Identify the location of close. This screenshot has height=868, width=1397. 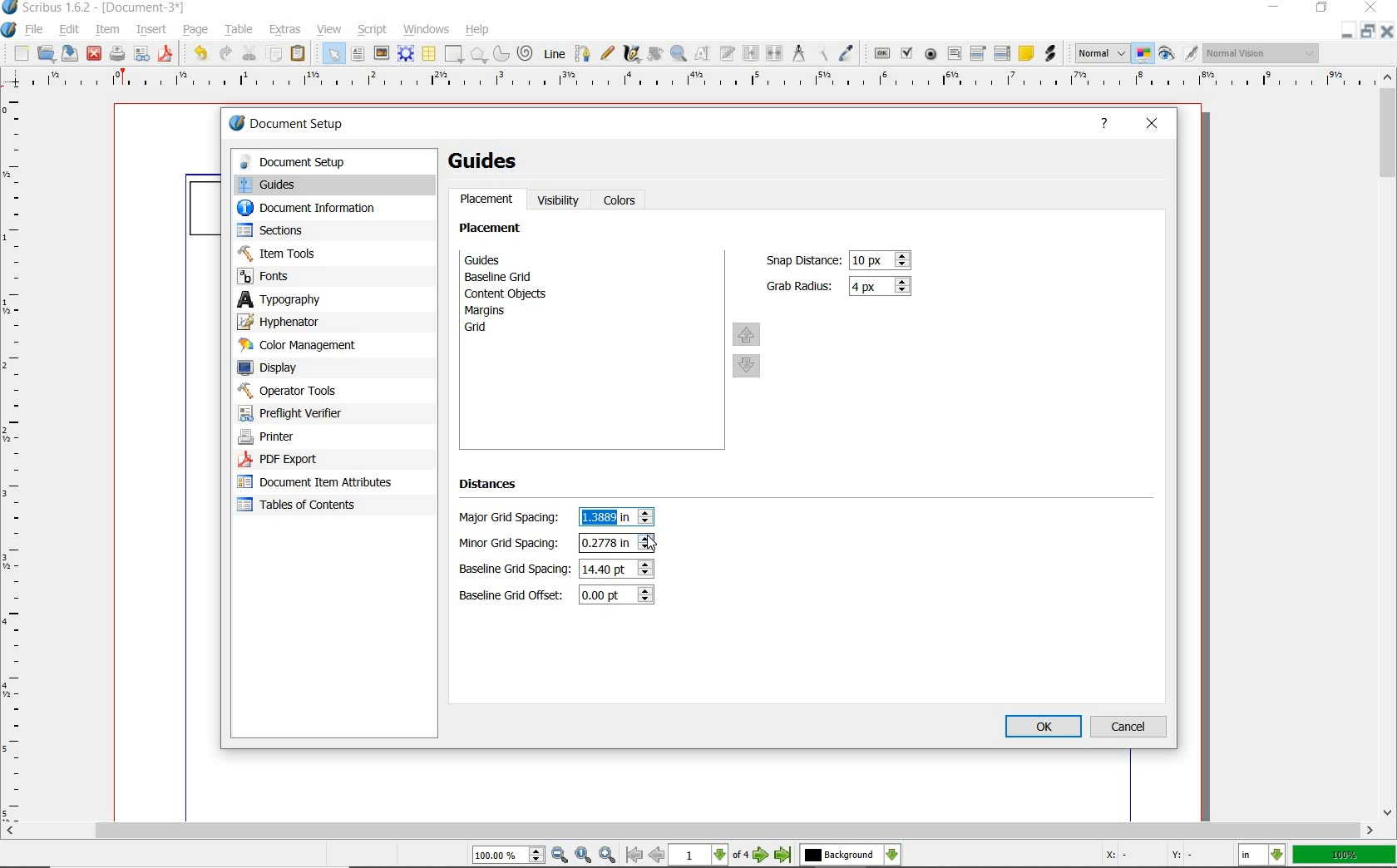
(93, 55).